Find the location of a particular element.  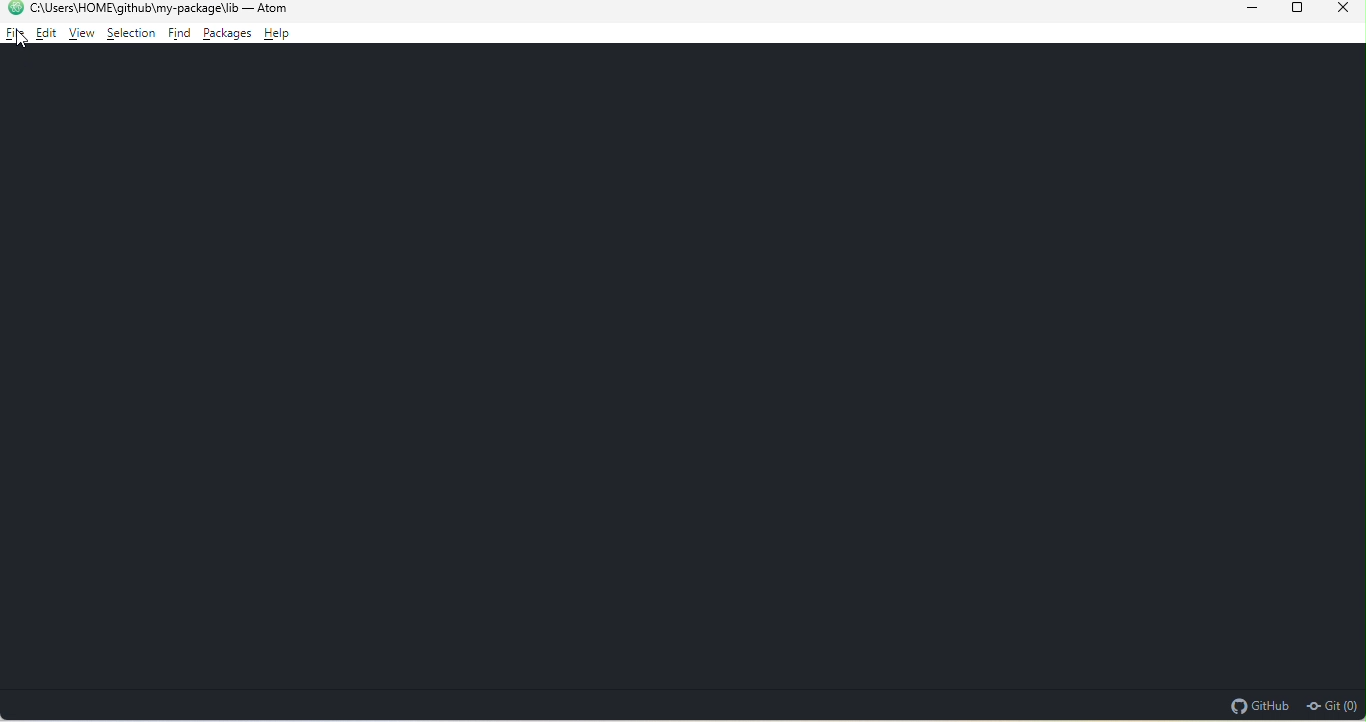

packages is located at coordinates (226, 35).